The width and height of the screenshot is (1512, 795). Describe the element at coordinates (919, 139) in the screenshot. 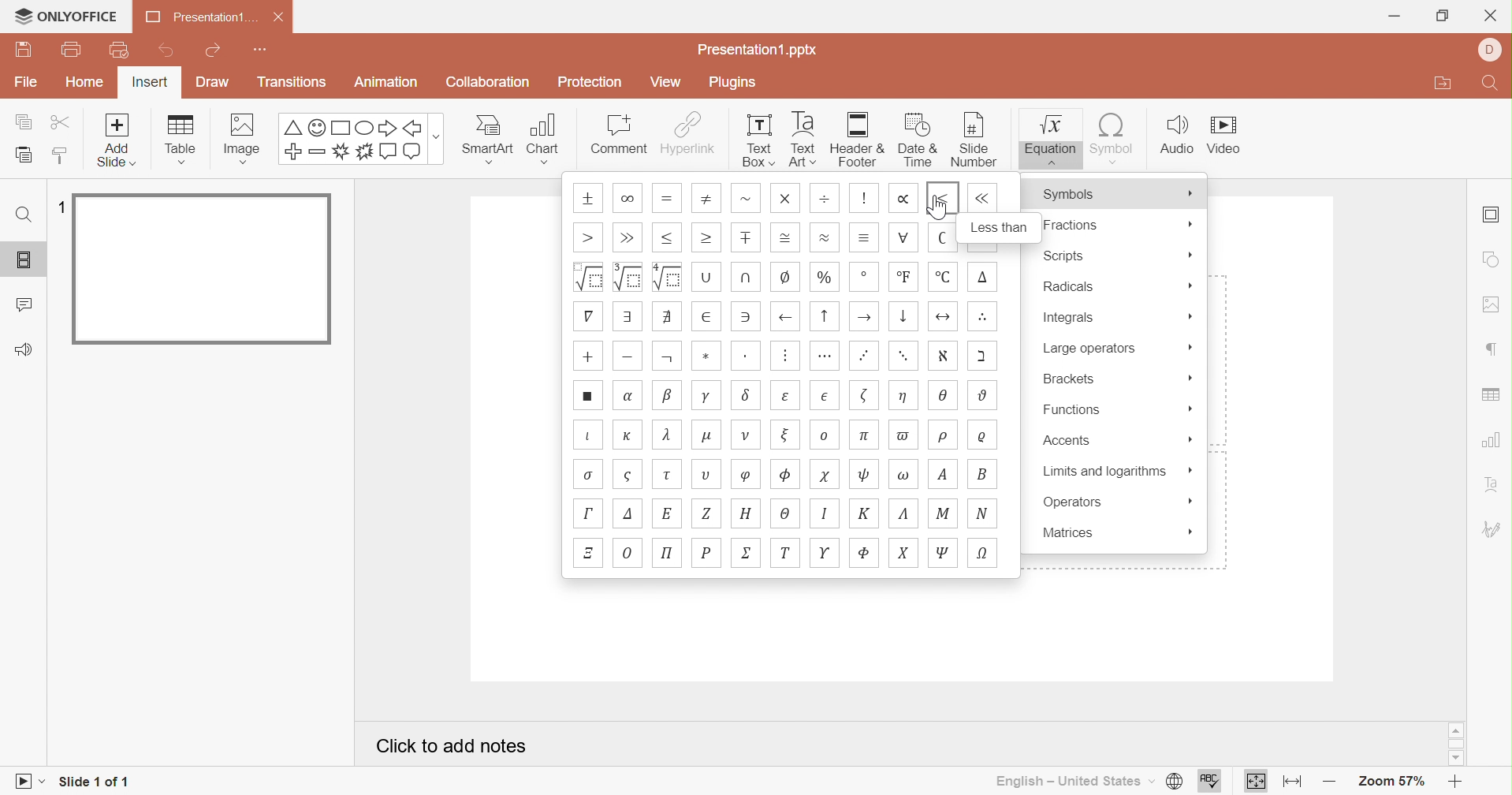

I see `Date & Time` at that location.